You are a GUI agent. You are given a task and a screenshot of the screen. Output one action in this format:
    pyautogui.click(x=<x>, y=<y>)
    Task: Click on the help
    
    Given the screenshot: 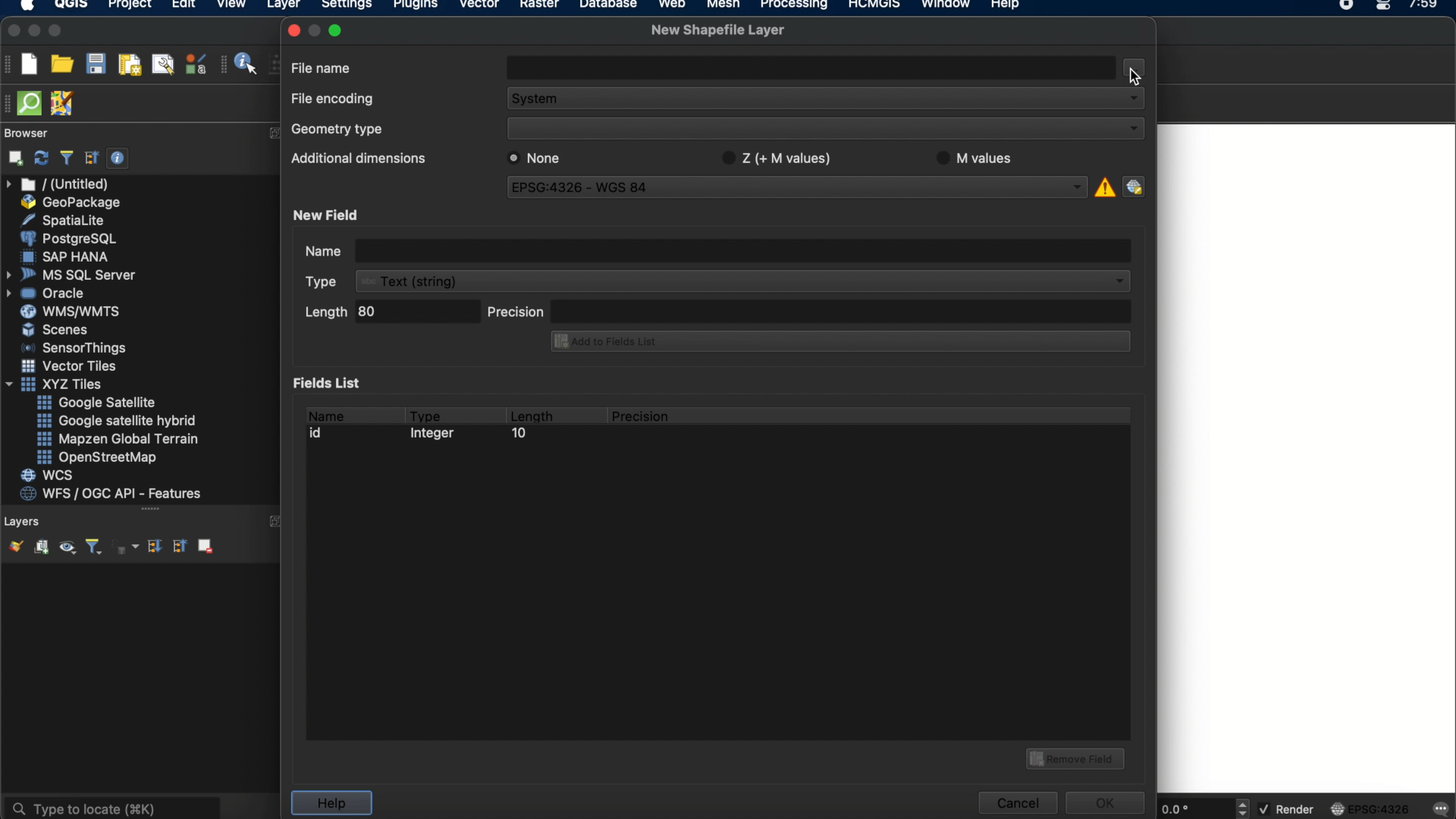 What is the action you would take?
    pyautogui.click(x=331, y=803)
    